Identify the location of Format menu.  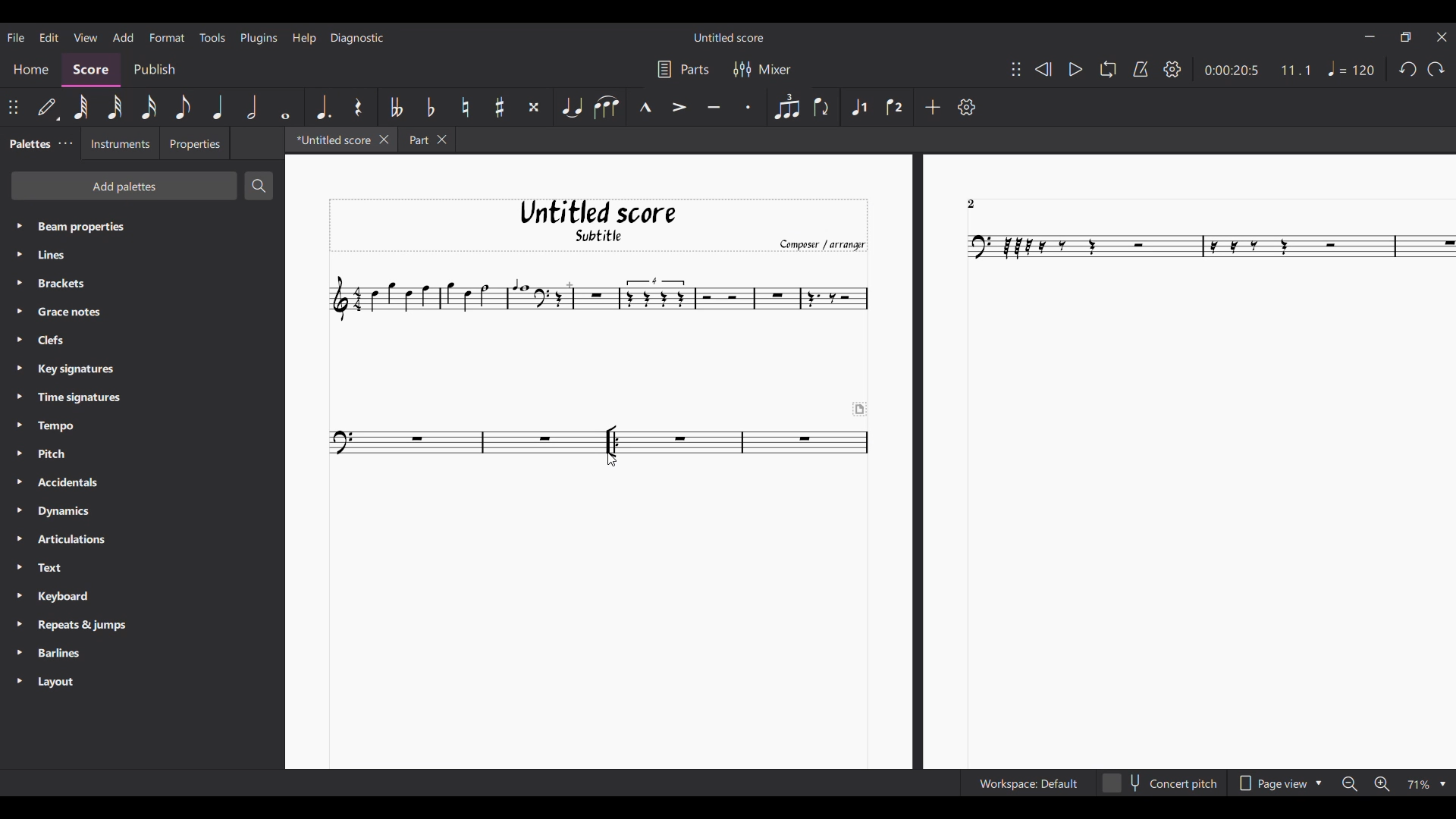
(168, 38).